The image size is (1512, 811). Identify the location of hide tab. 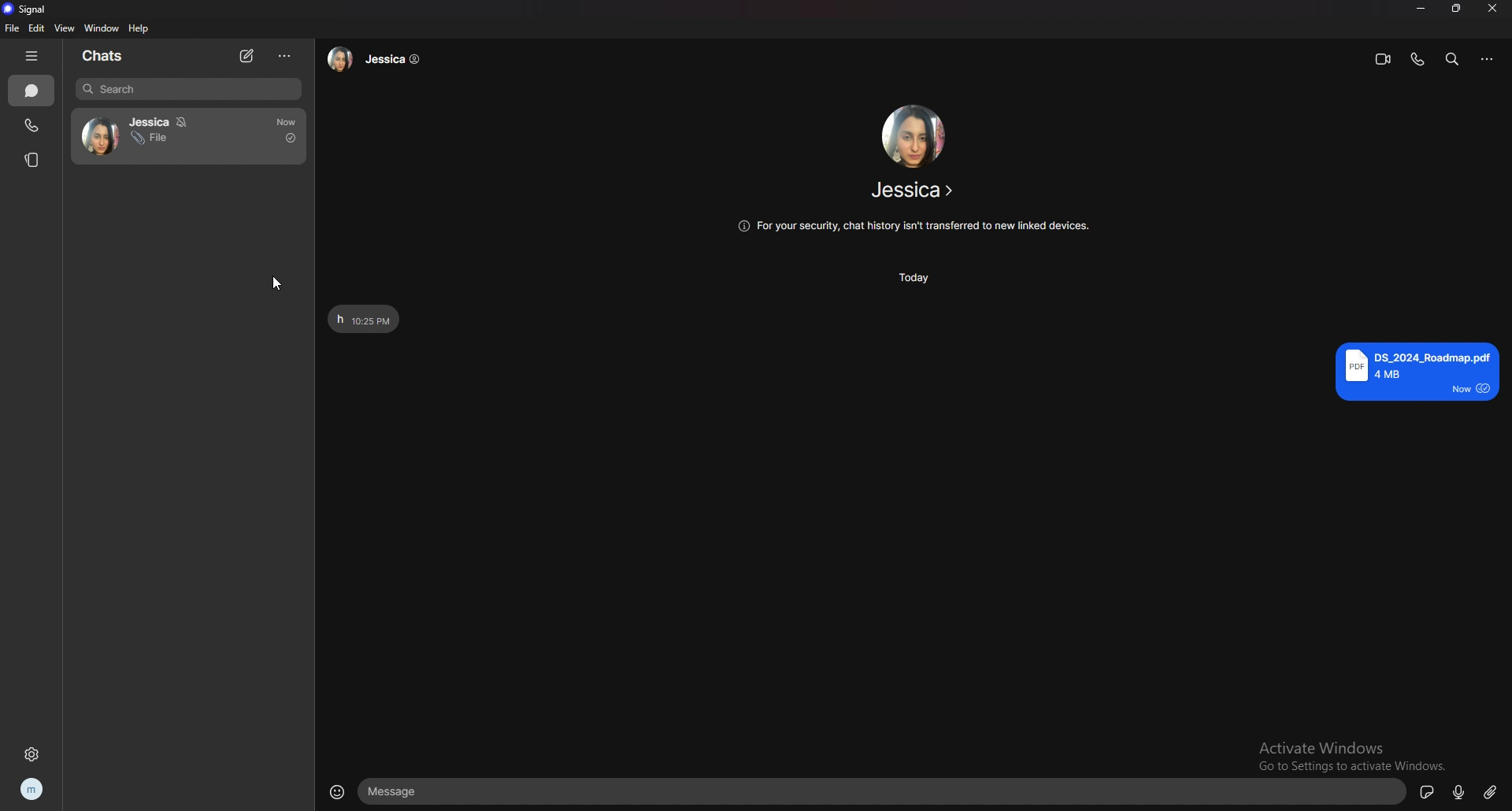
(31, 54).